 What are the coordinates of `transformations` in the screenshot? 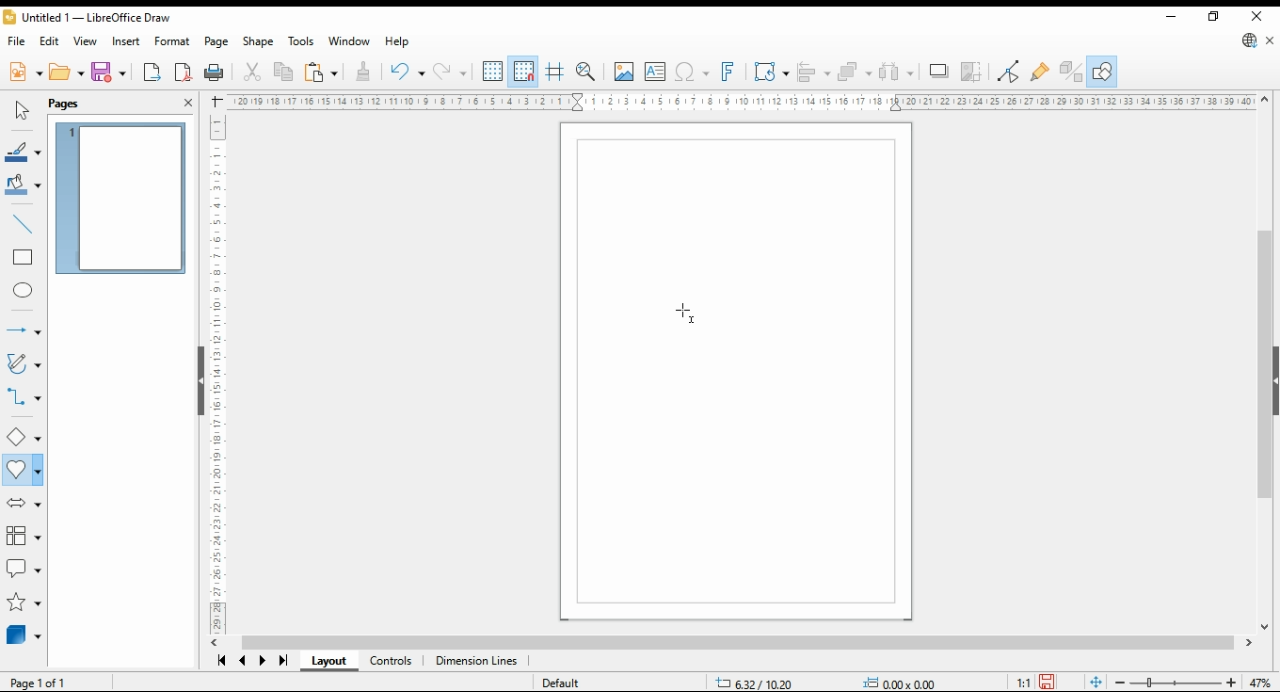 It's located at (771, 71).